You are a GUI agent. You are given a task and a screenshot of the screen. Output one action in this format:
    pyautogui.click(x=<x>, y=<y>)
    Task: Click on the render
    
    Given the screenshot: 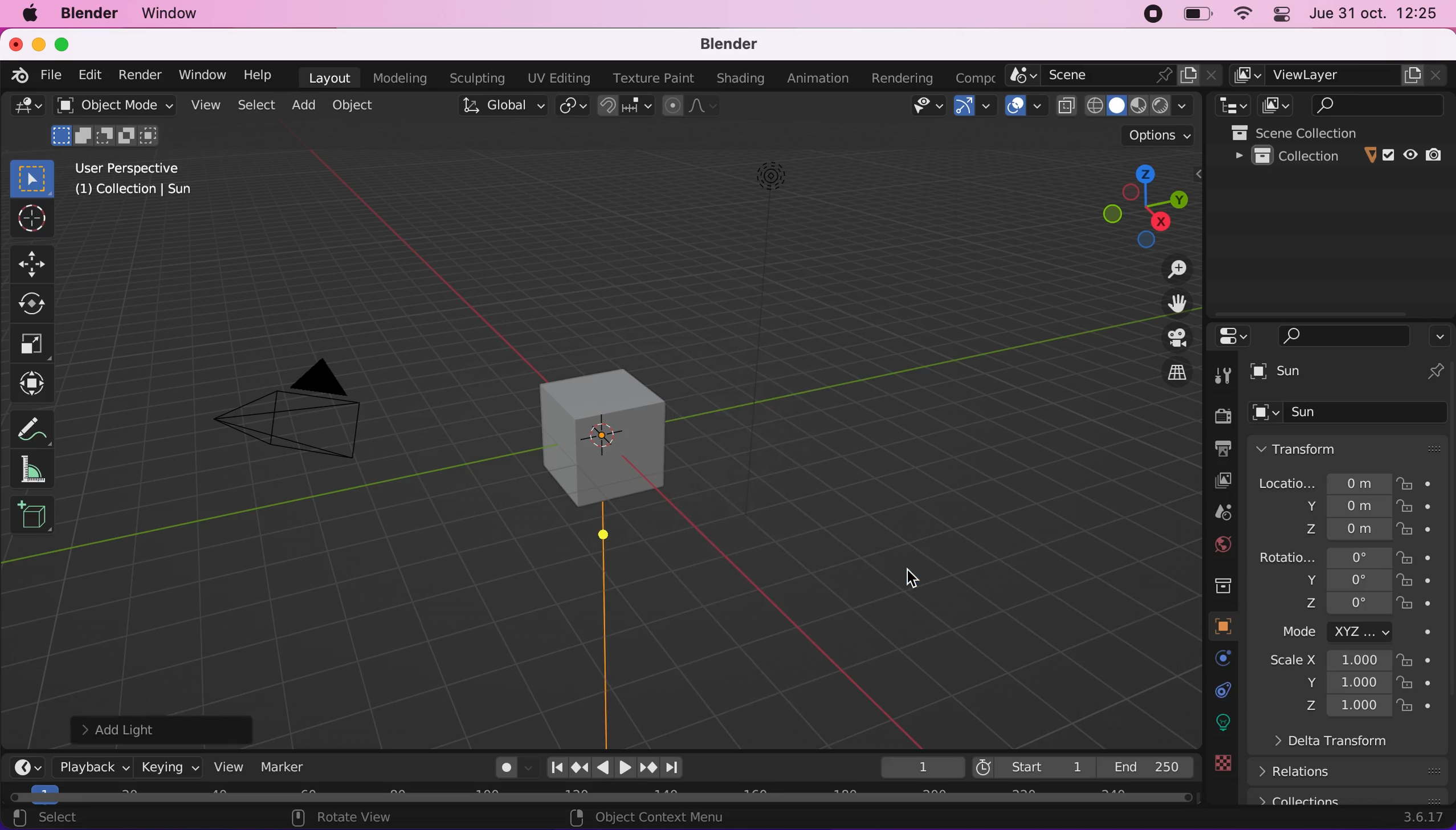 What is the action you would take?
    pyautogui.click(x=138, y=75)
    